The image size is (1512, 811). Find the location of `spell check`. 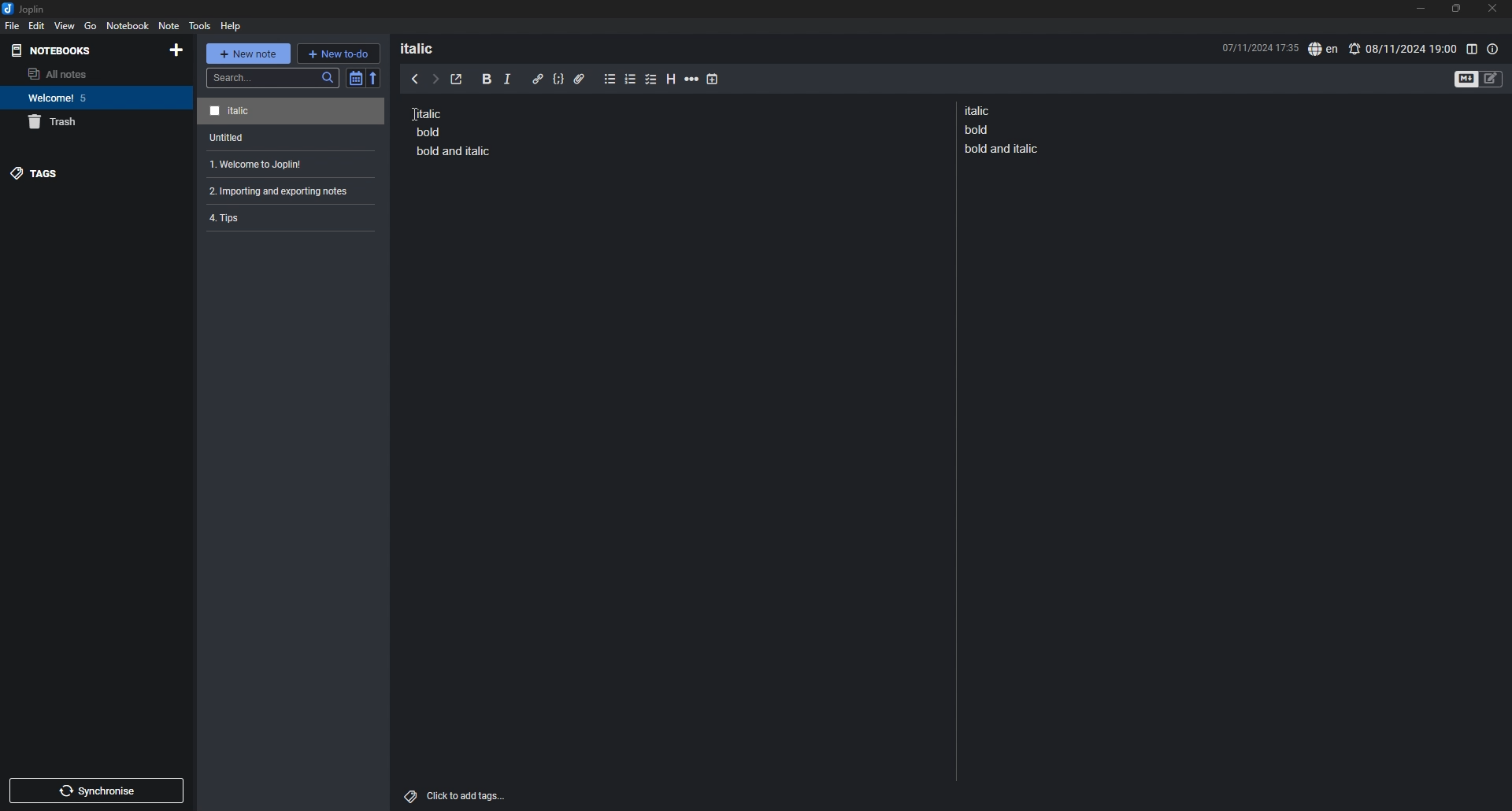

spell check is located at coordinates (1323, 50).